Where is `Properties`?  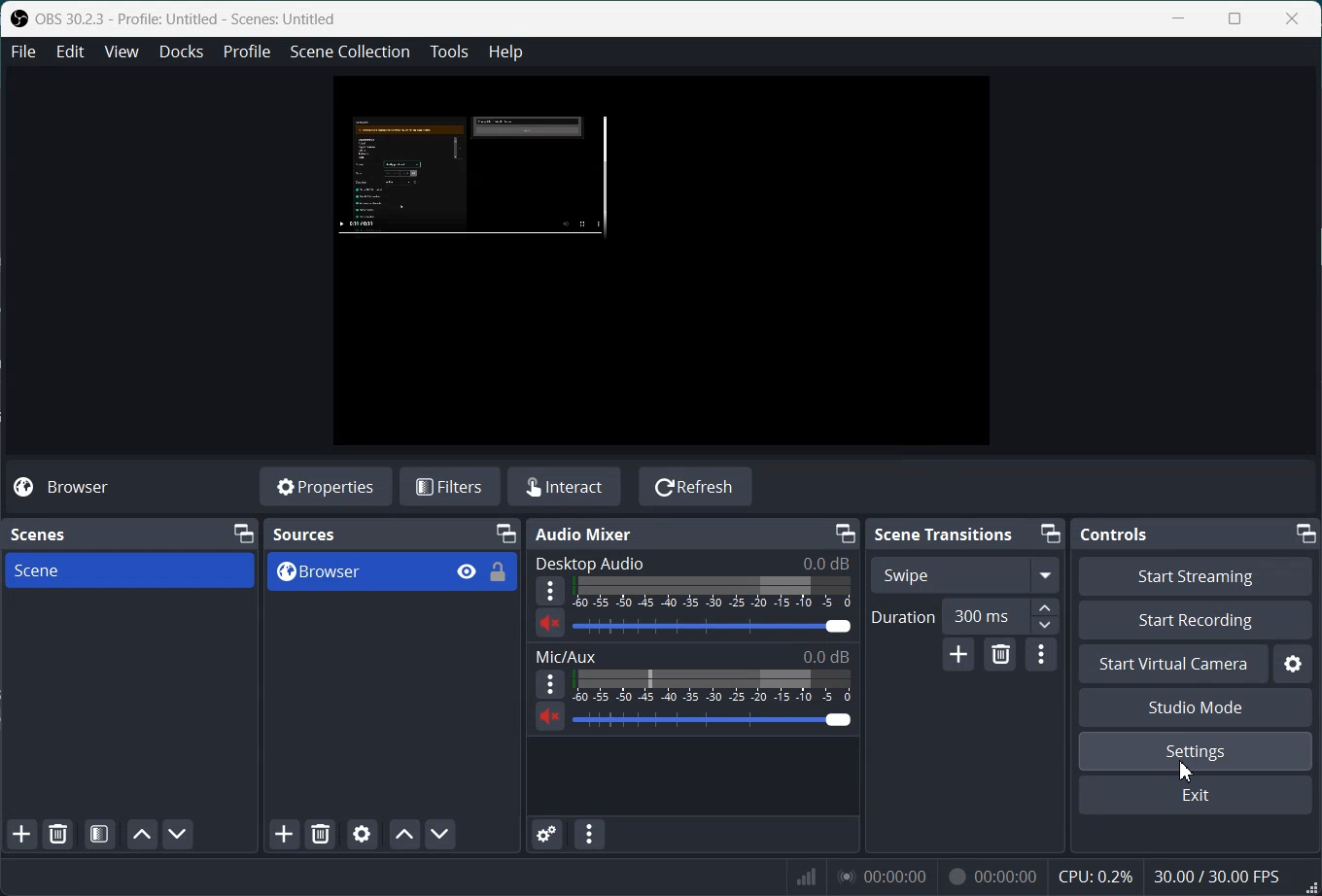
Properties is located at coordinates (326, 486).